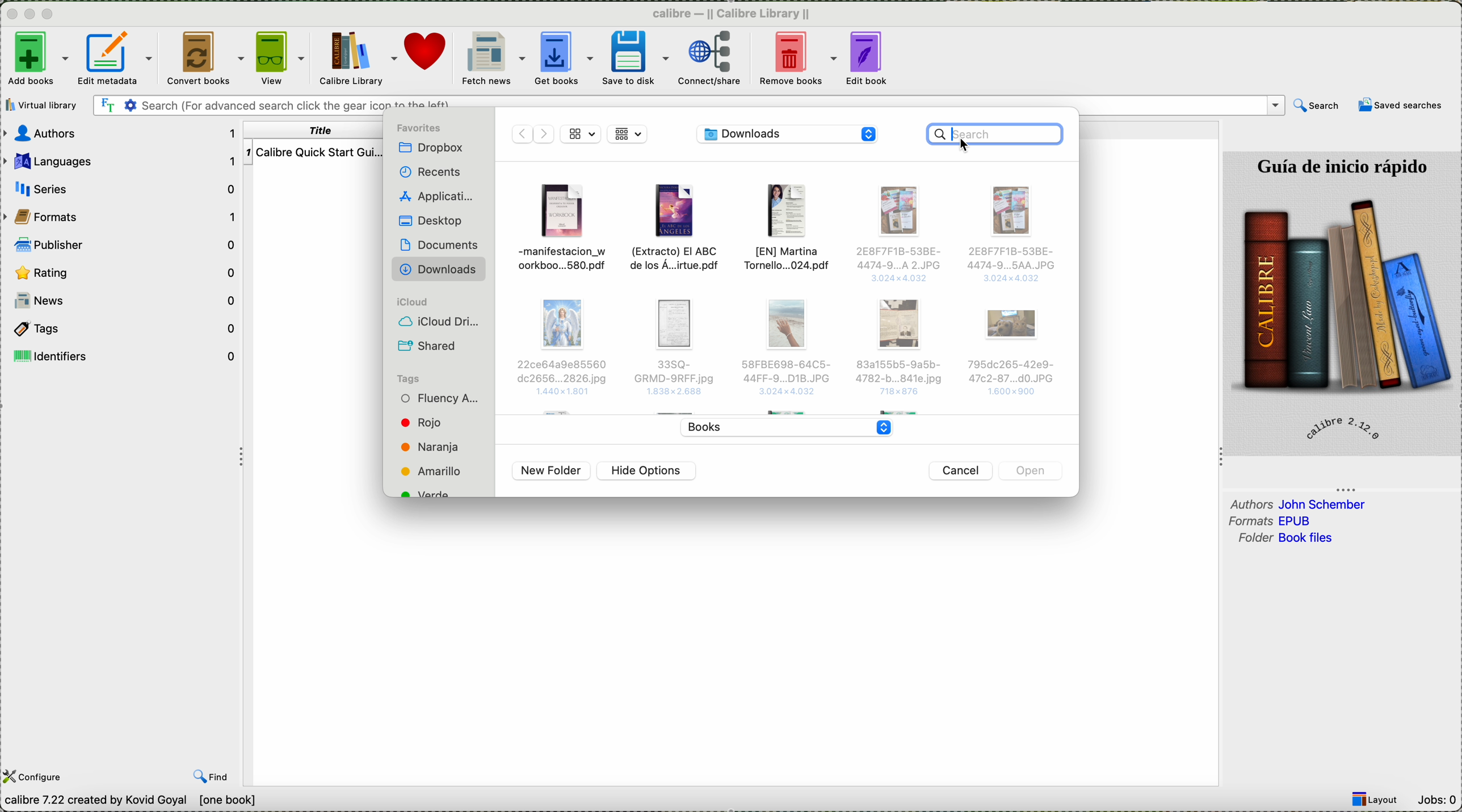 This screenshot has height=812, width=1462. I want to click on new folder, so click(552, 472).